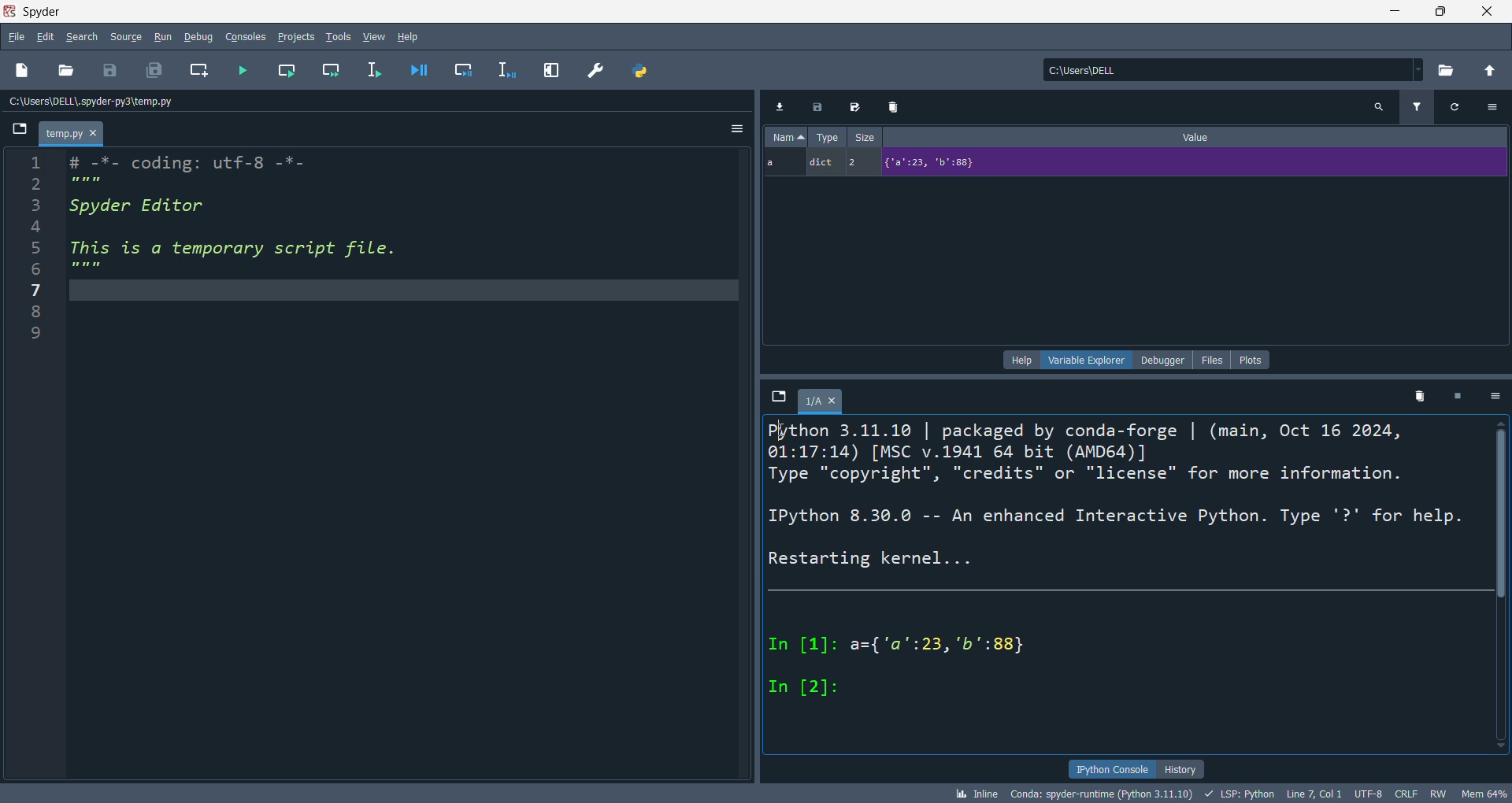 This screenshot has width=1512, height=803. Describe the element at coordinates (1503, 590) in the screenshot. I see `scroll bar` at that location.